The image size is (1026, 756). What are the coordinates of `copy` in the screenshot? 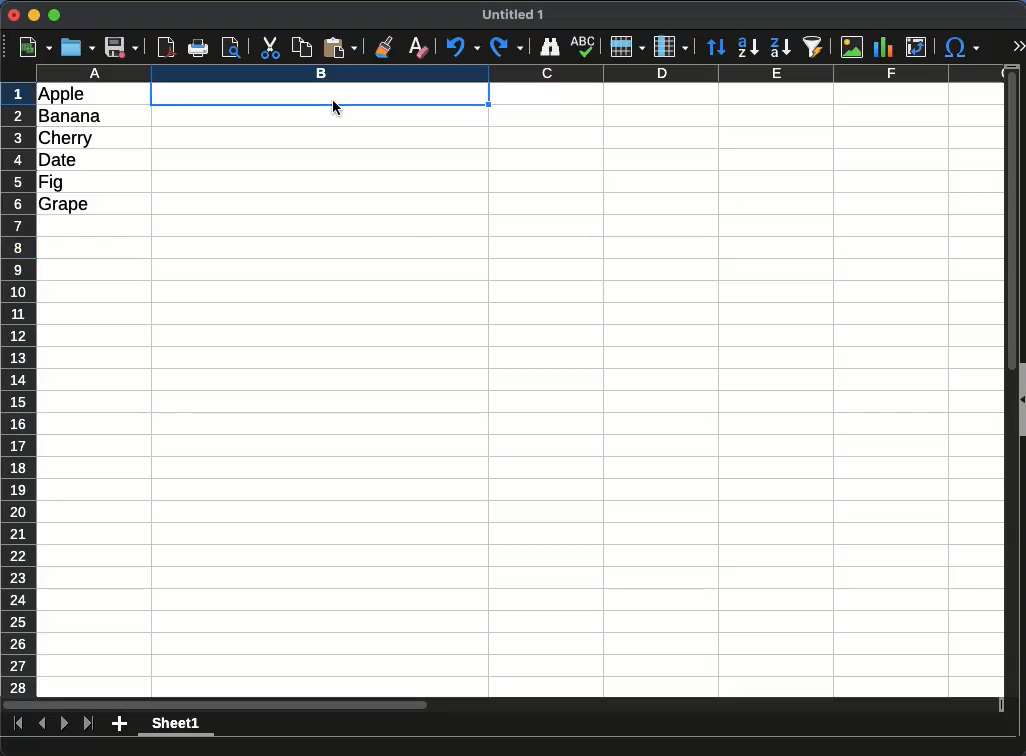 It's located at (301, 48).